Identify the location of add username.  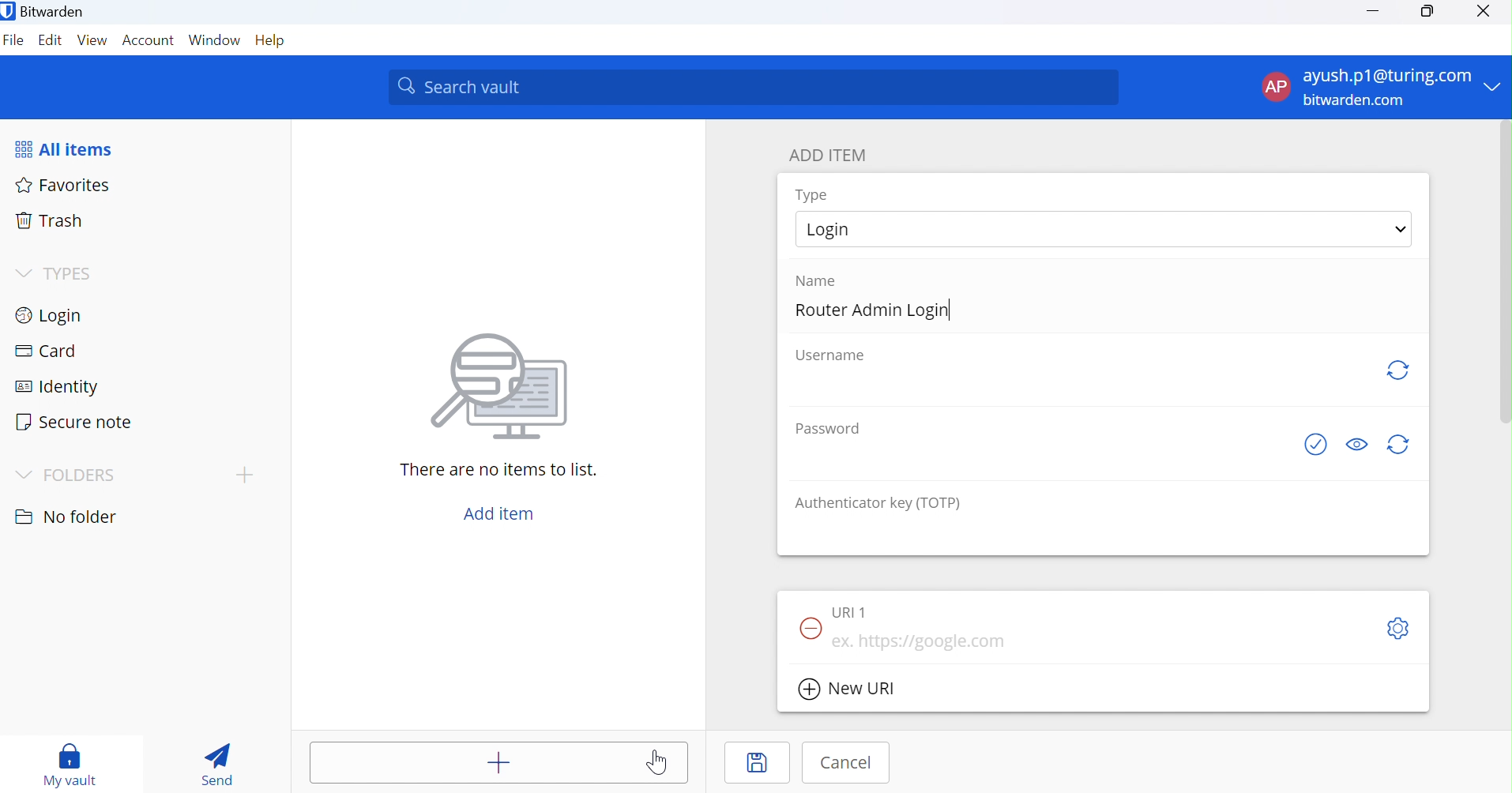
(1081, 385).